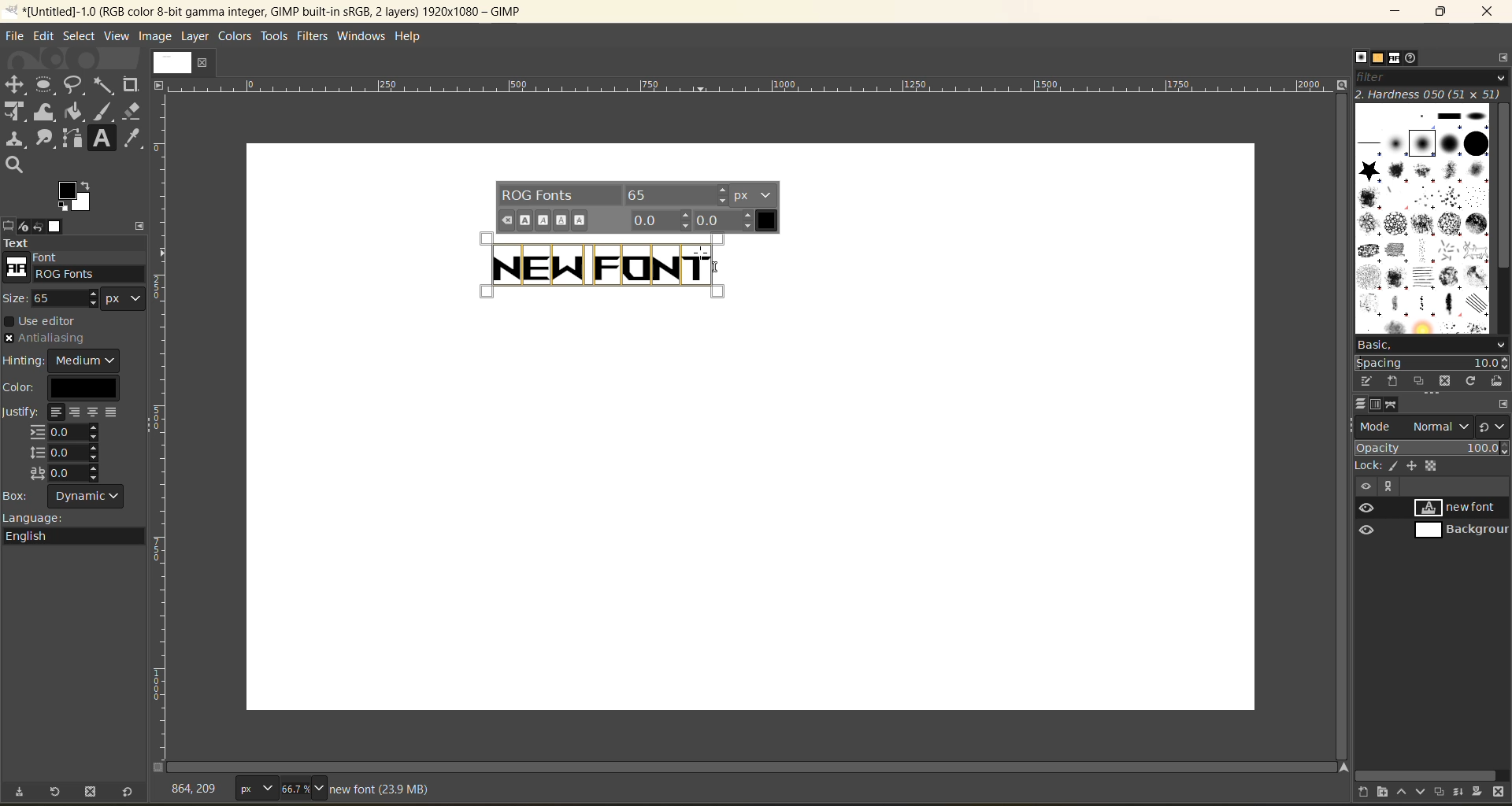  What do you see at coordinates (1503, 189) in the screenshot?
I see `vertical scroll bar` at bounding box center [1503, 189].